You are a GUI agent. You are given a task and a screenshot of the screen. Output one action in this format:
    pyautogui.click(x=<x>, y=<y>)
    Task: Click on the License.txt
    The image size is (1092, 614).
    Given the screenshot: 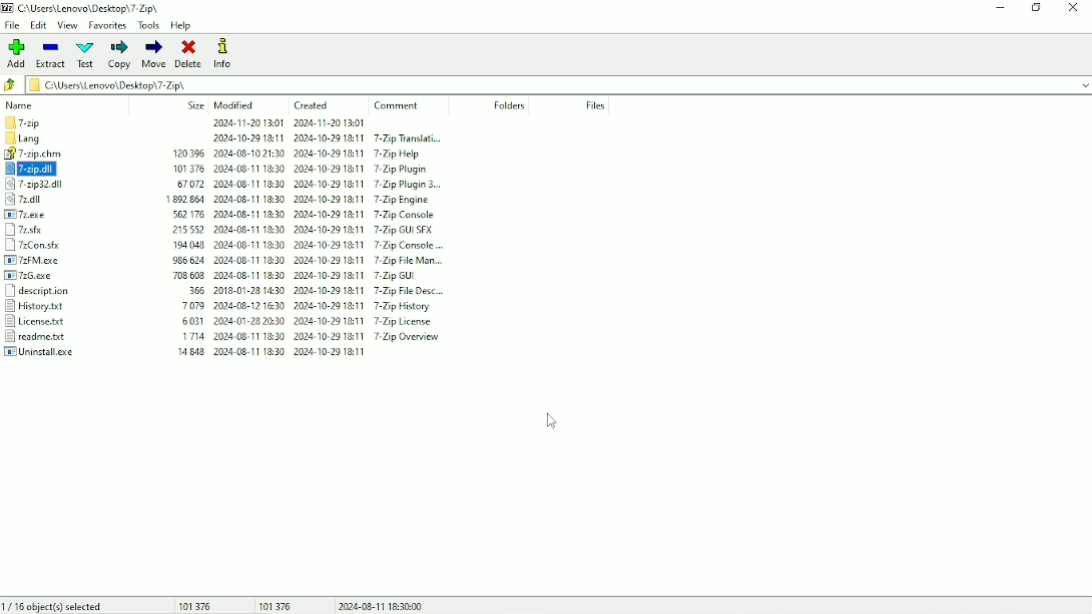 What is the action you would take?
    pyautogui.click(x=39, y=323)
    